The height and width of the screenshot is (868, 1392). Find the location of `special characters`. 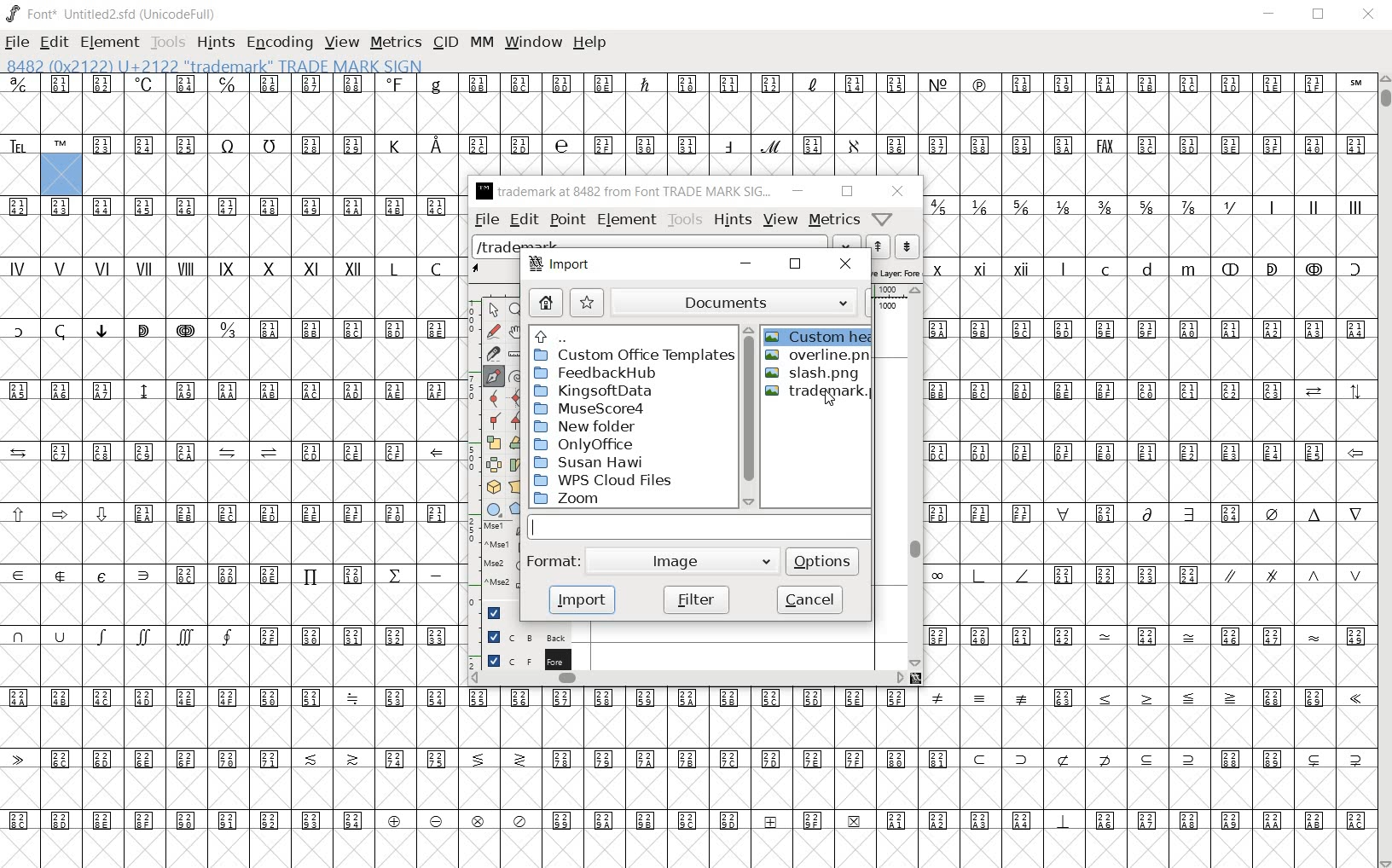

special characters is located at coordinates (123, 349).